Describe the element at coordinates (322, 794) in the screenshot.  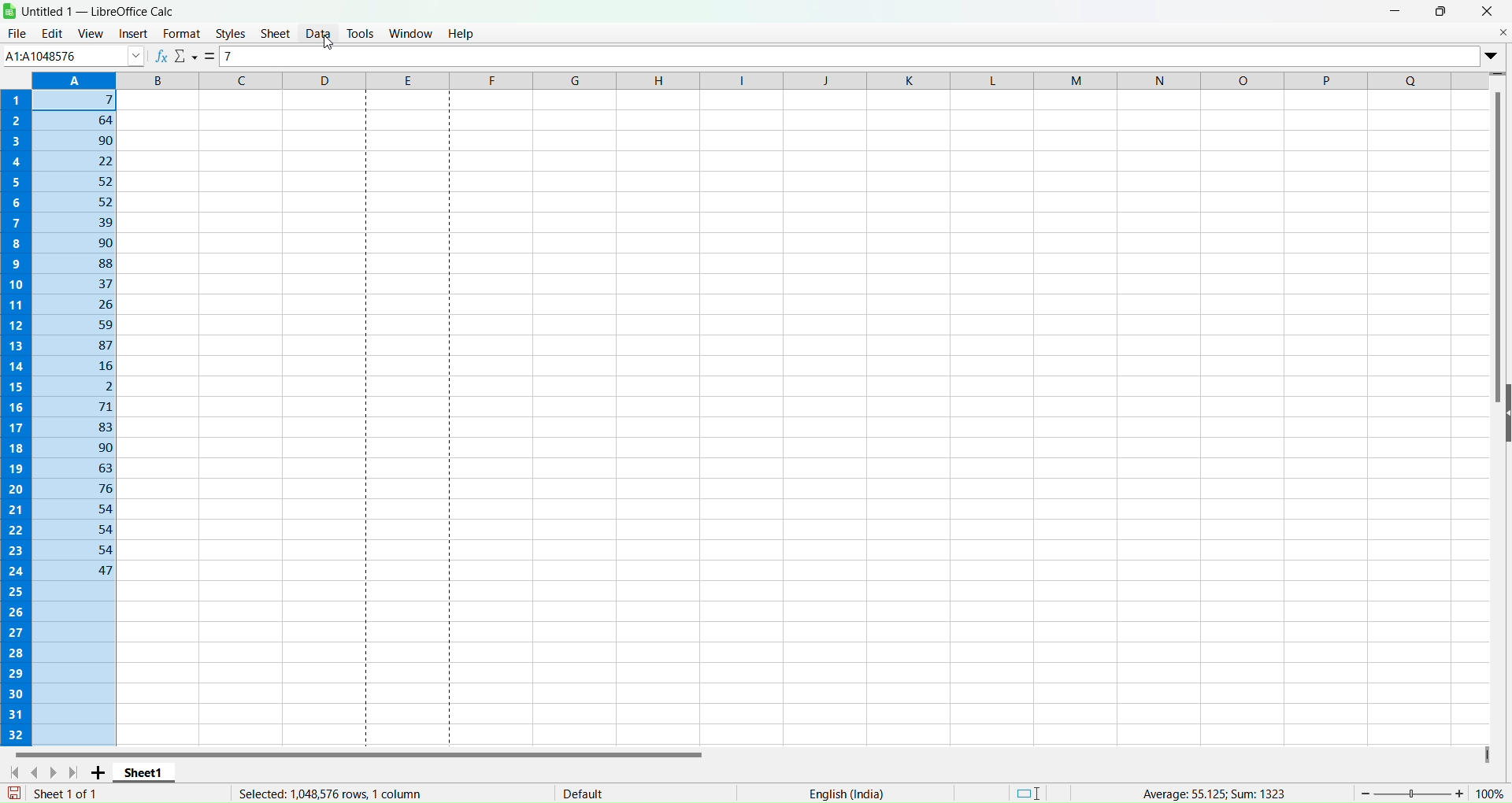
I see `Selected Column Details` at that location.